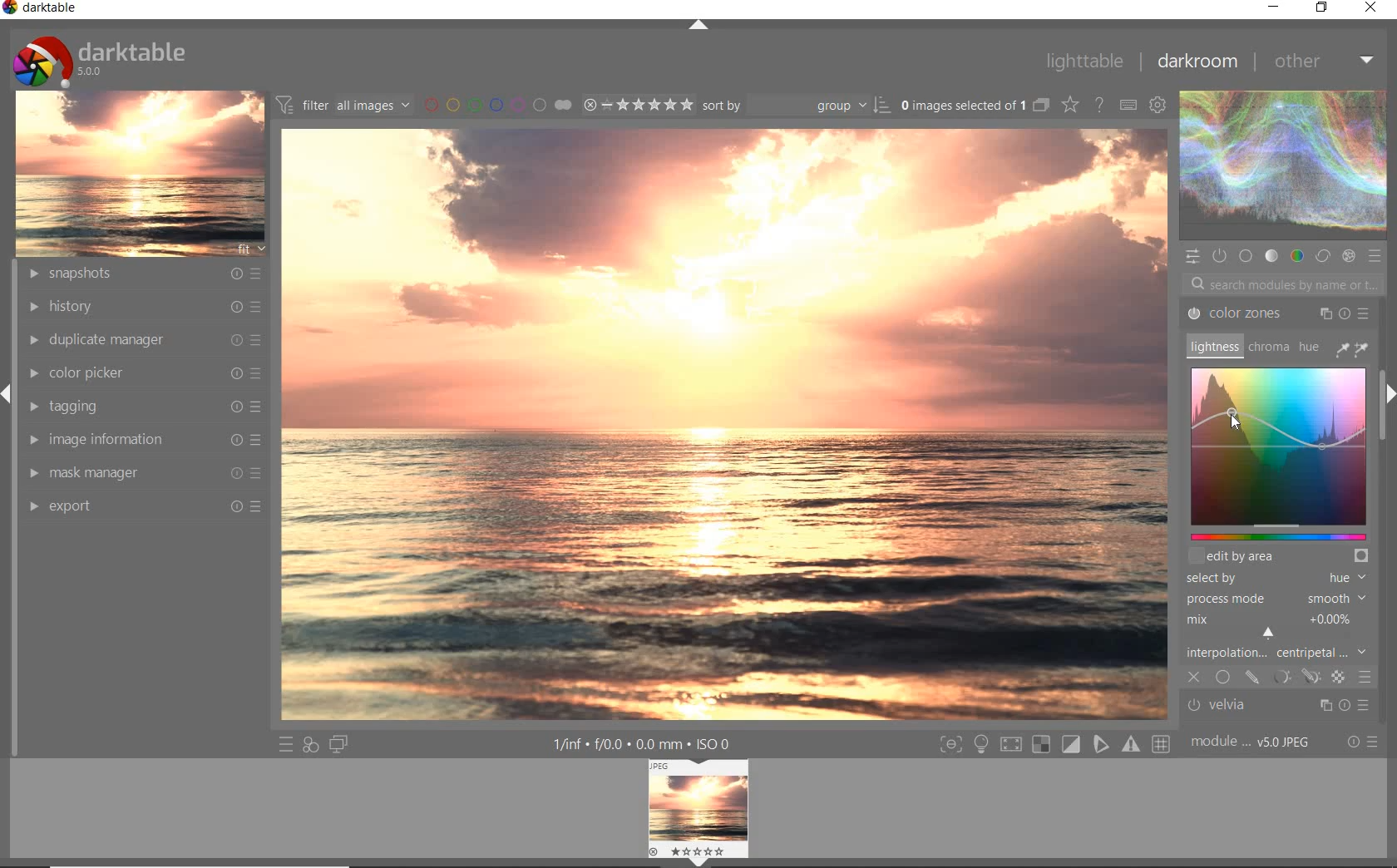 Image resolution: width=1397 pixels, height=868 pixels. Describe the element at coordinates (1352, 348) in the screenshot. I see `COLOR PICKER TOOLS` at that location.